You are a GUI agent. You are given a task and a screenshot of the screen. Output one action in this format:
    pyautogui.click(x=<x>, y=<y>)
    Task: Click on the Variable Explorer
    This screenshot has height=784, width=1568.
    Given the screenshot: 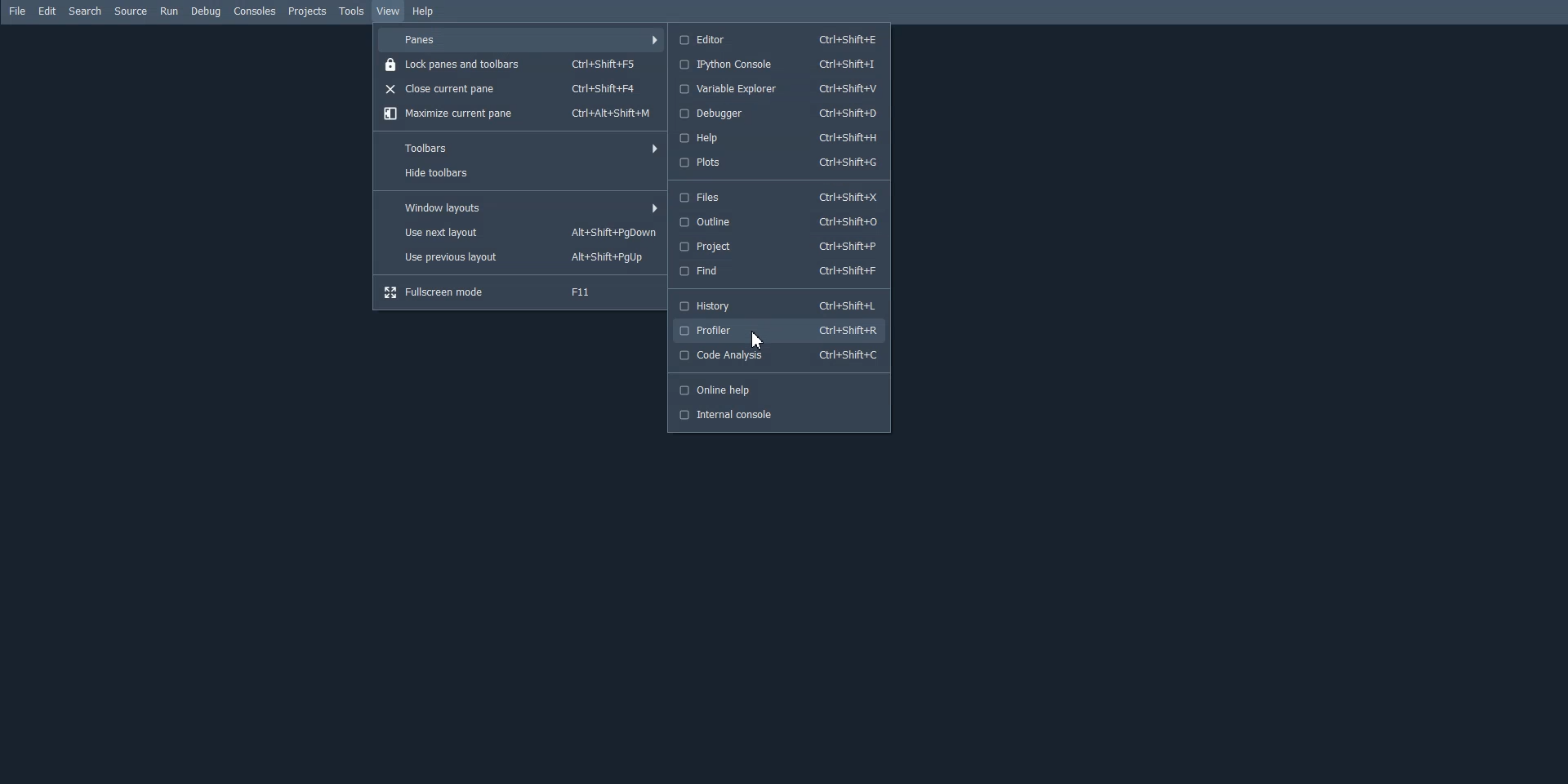 What is the action you would take?
    pyautogui.click(x=777, y=88)
    